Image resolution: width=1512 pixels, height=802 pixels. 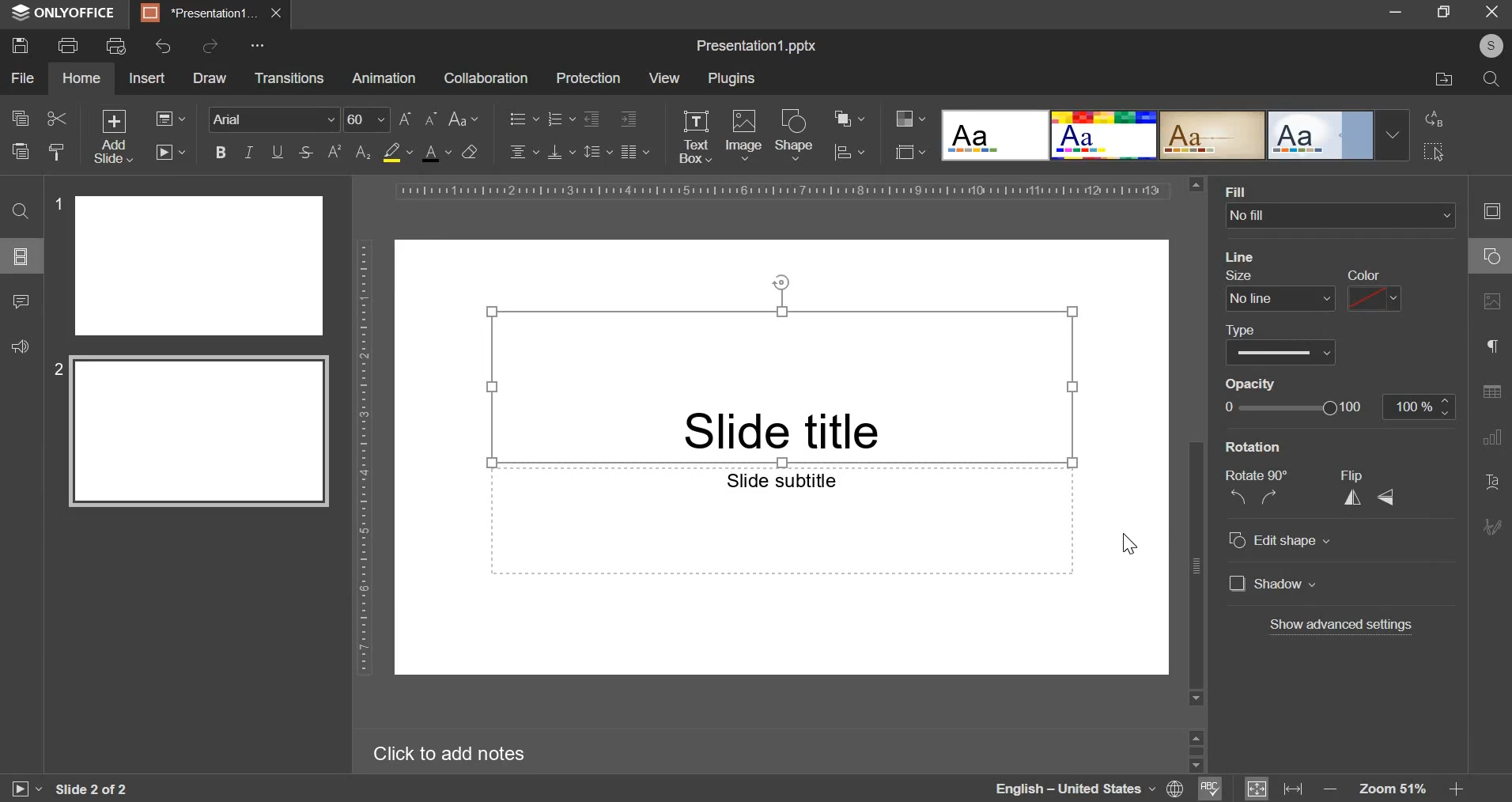 What do you see at coordinates (910, 119) in the screenshot?
I see `color design` at bounding box center [910, 119].